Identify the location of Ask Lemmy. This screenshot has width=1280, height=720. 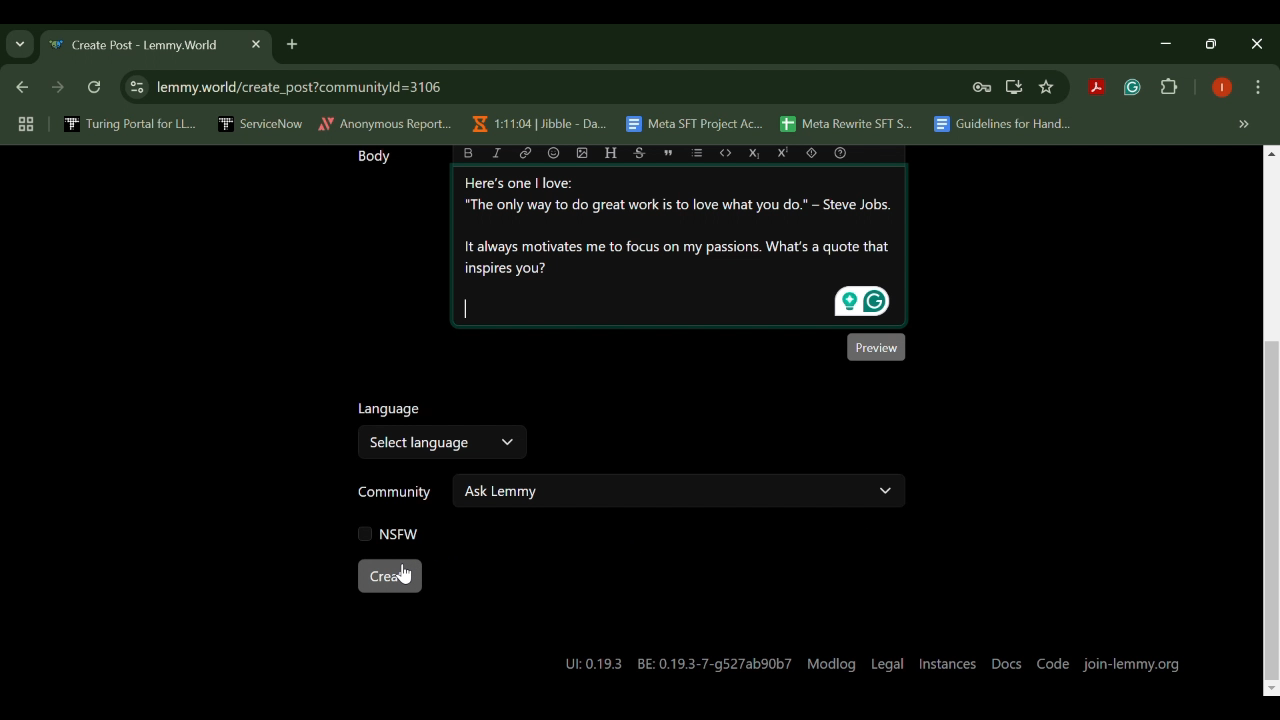
(680, 490).